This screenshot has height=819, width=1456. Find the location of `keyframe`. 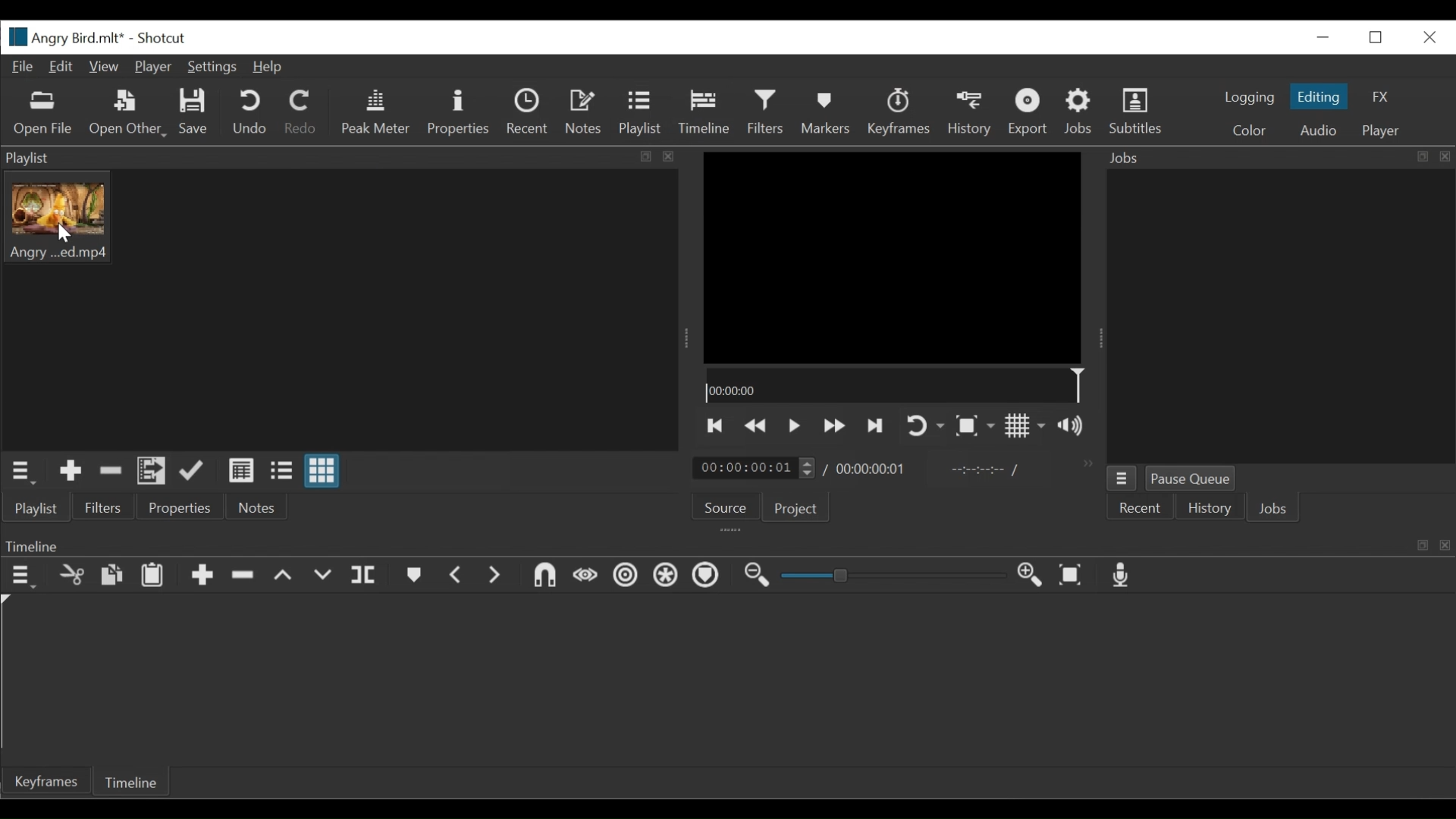

keyframe is located at coordinates (49, 783).